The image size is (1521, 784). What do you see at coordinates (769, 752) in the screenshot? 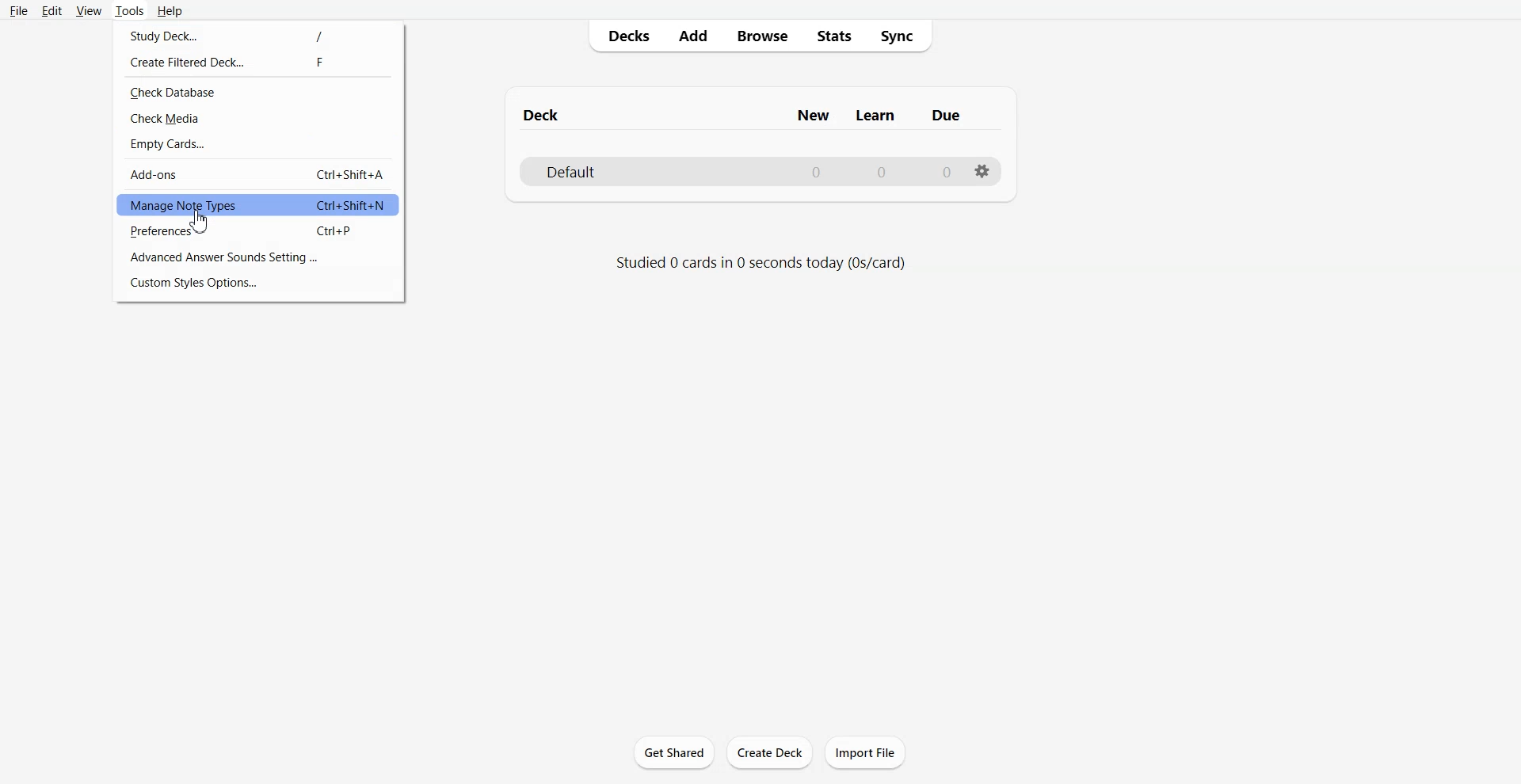
I see `Create Deck` at bounding box center [769, 752].